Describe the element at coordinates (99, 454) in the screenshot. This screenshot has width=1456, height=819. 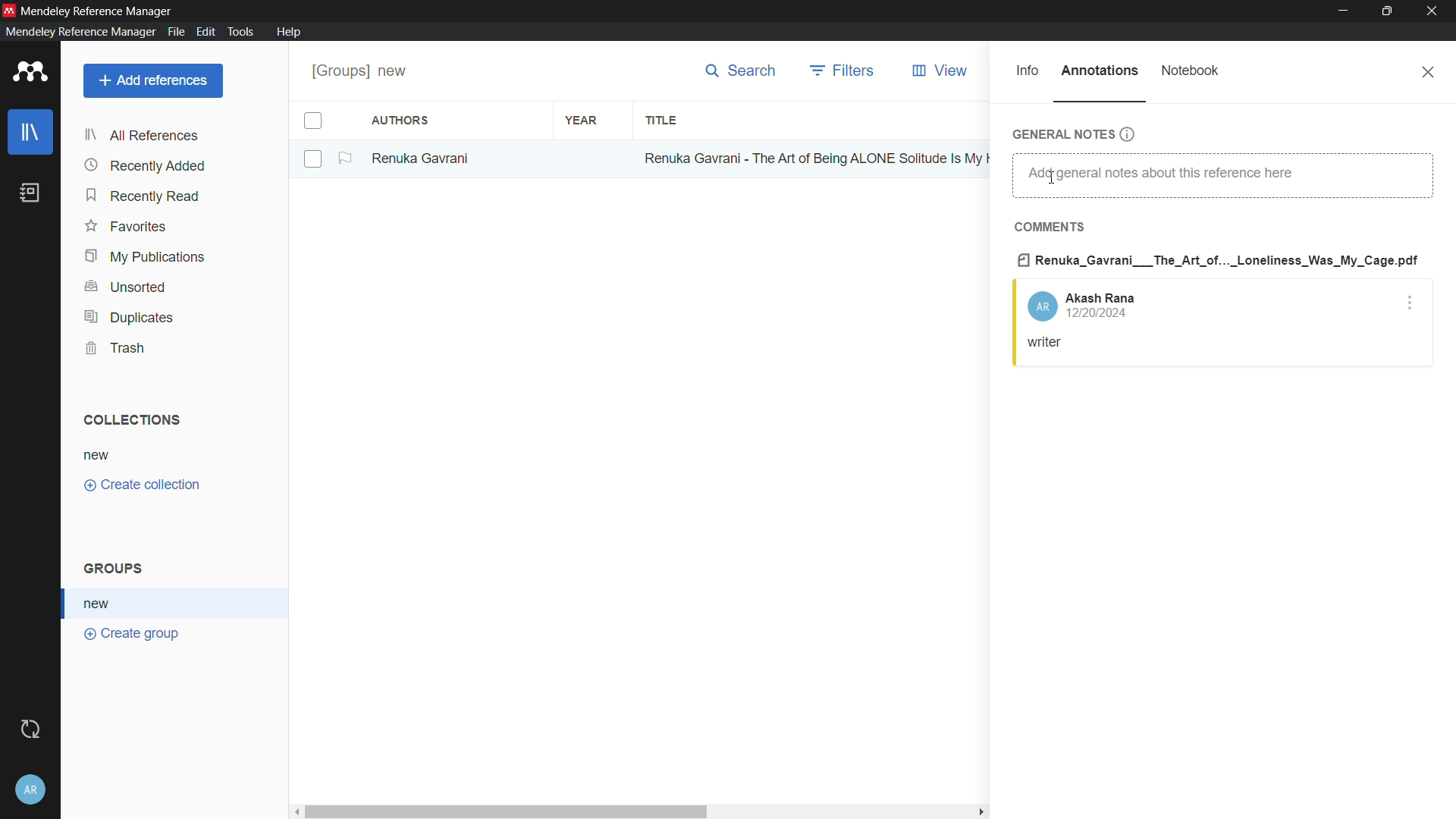
I see `new` at that location.